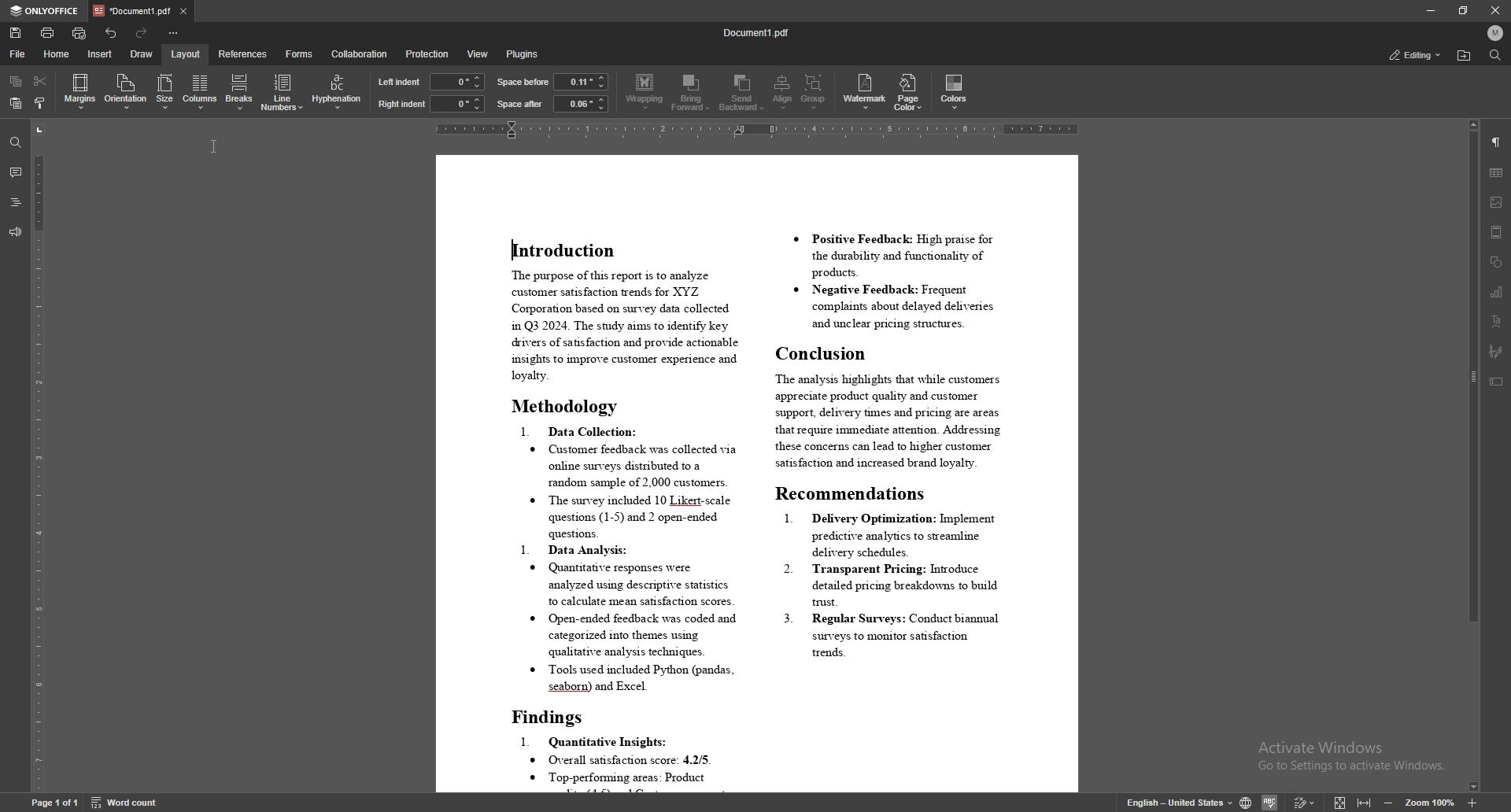 The image size is (1511, 812). What do you see at coordinates (166, 92) in the screenshot?
I see `size` at bounding box center [166, 92].